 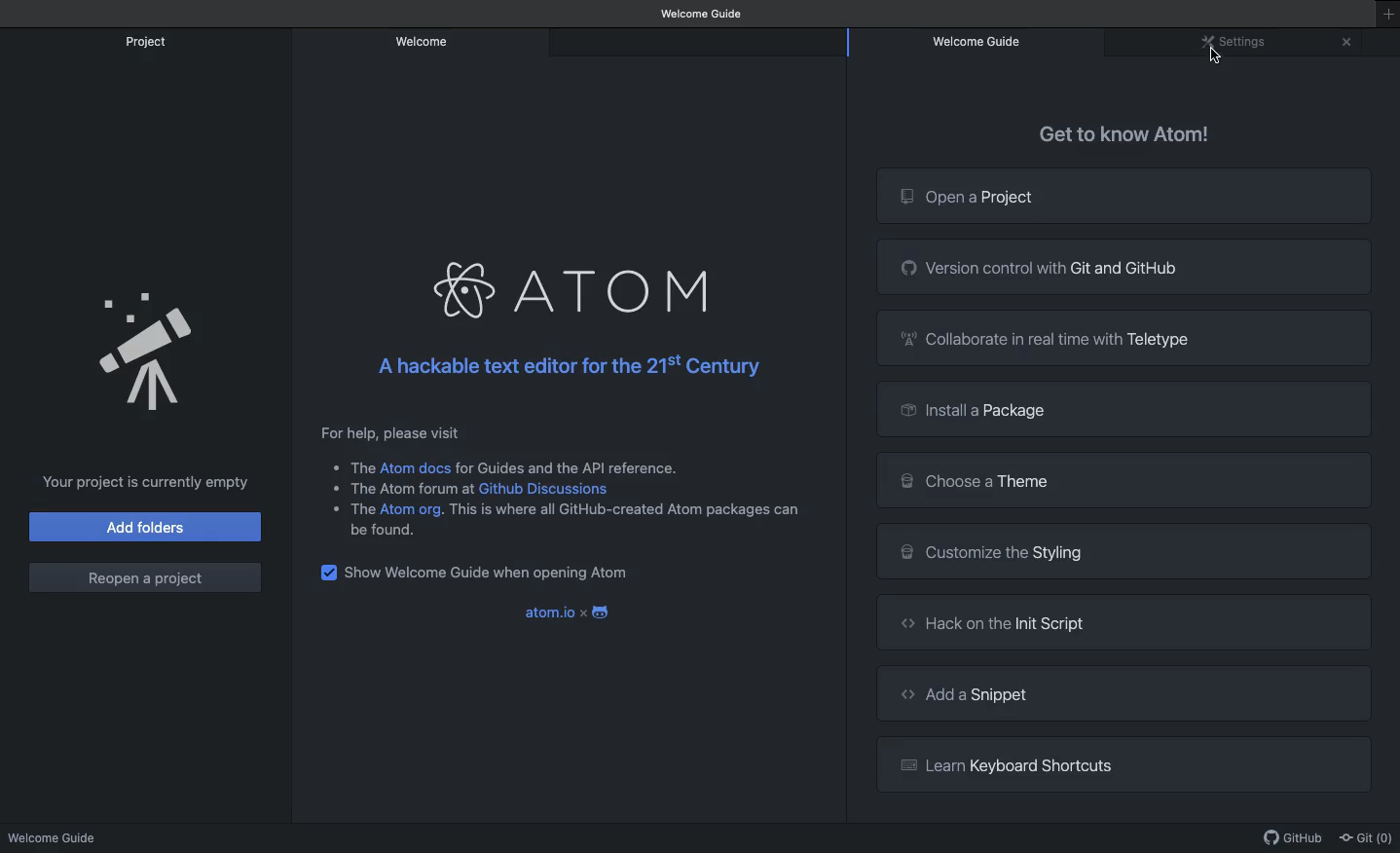 I want to click on  Github Discussions, so click(x=548, y=487).